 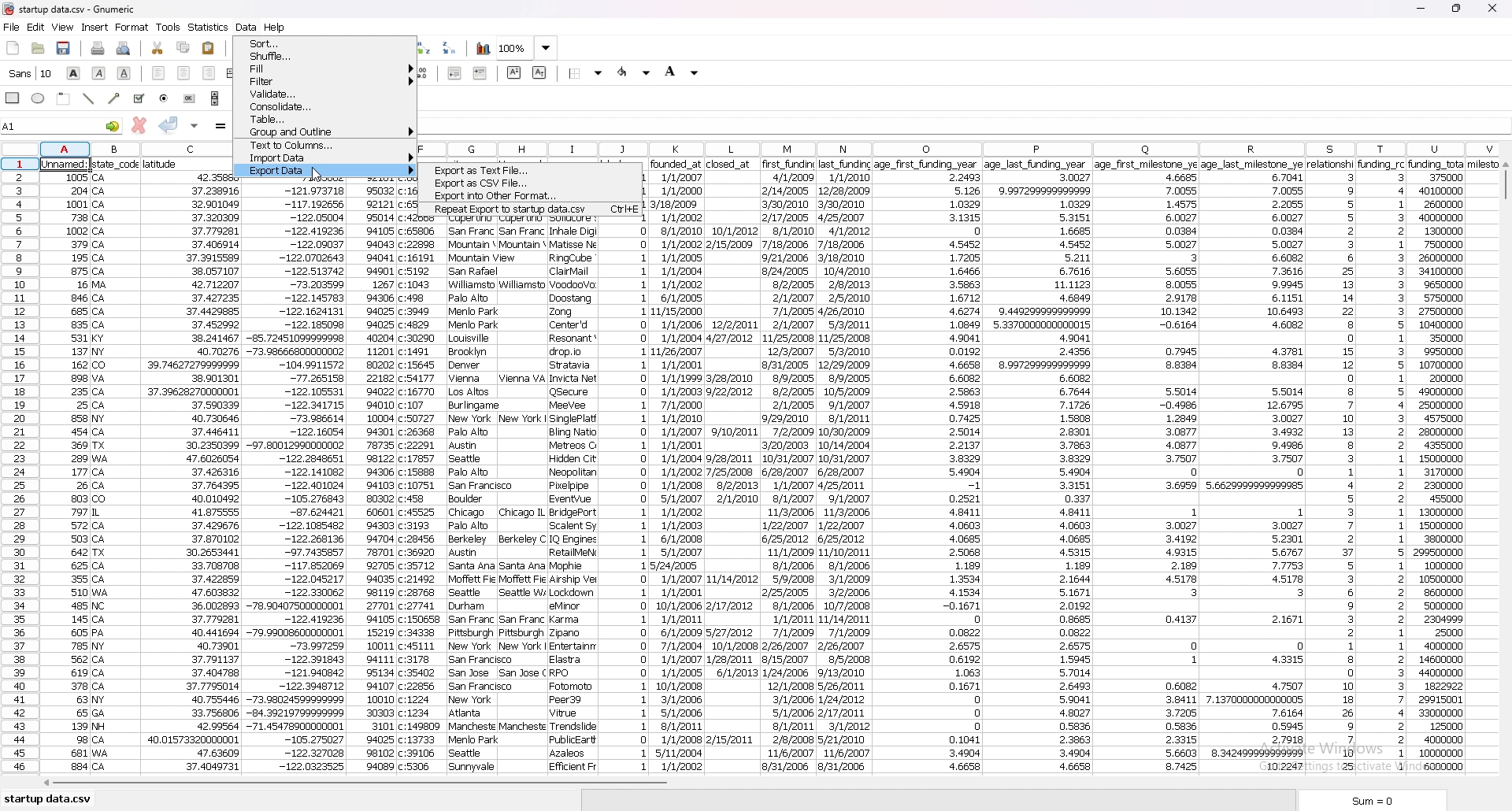 I want to click on increase indent, so click(x=480, y=72).